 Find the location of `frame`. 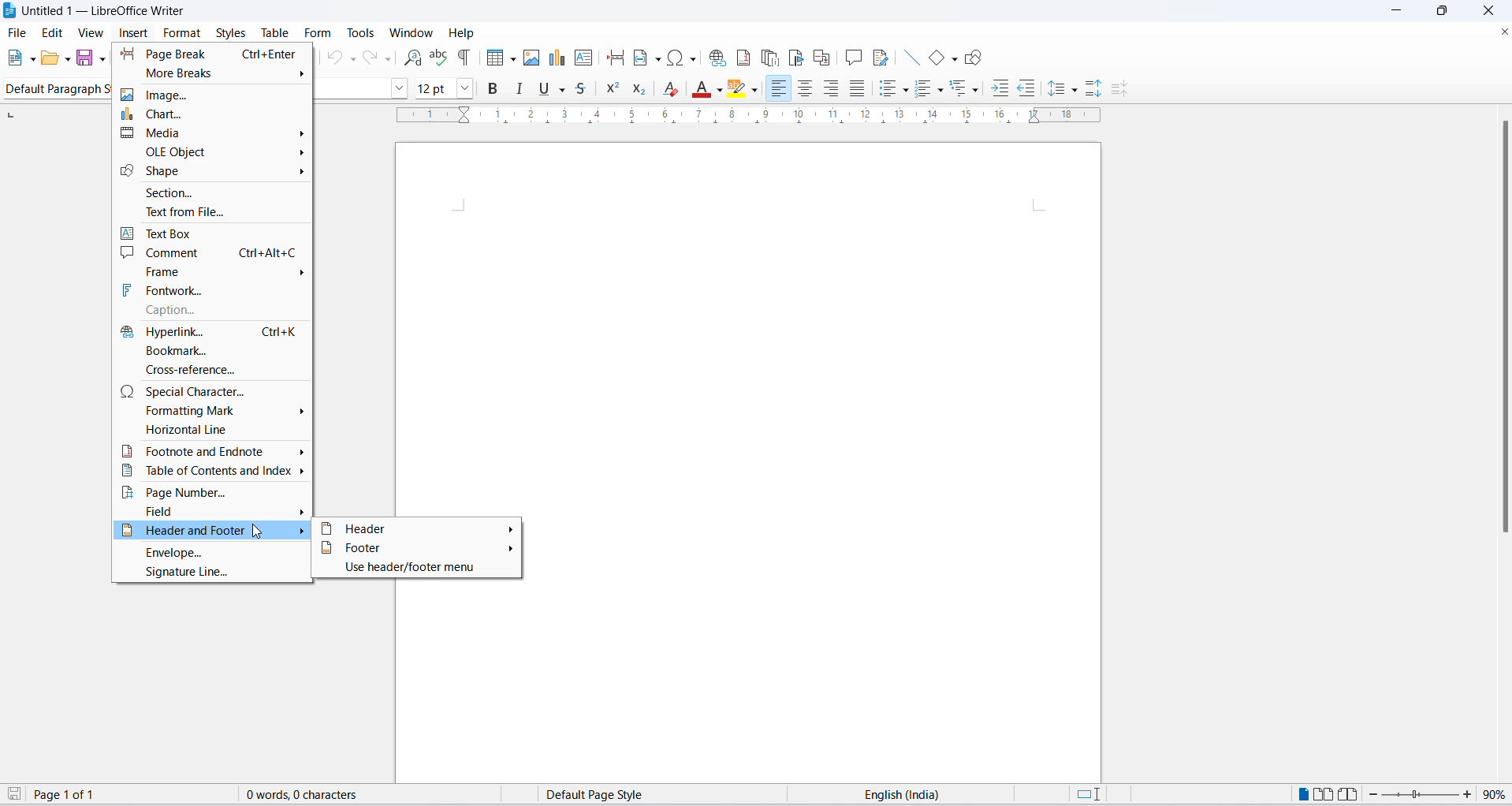

frame is located at coordinates (215, 271).